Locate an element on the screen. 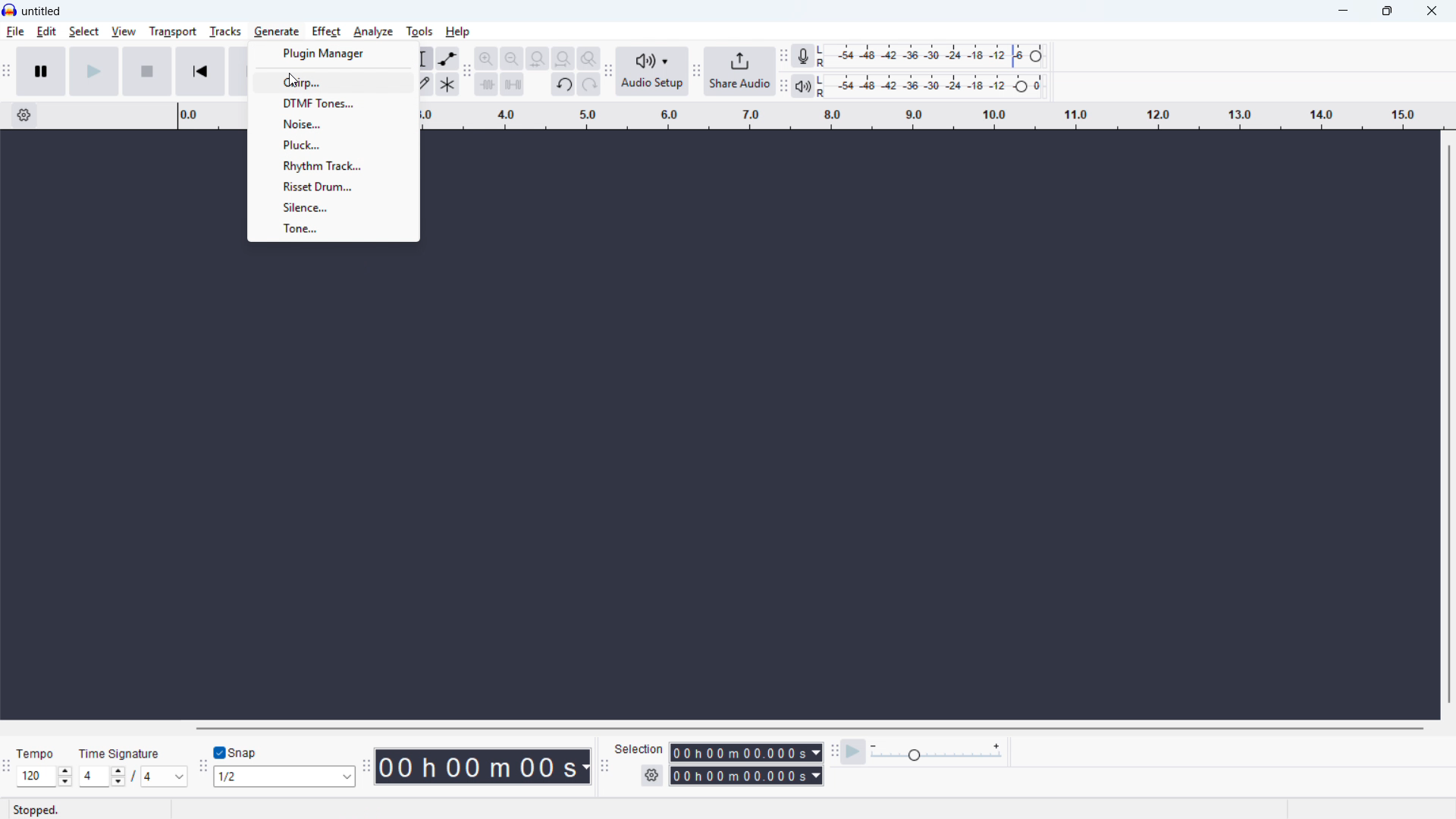  view  is located at coordinates (124, 32).